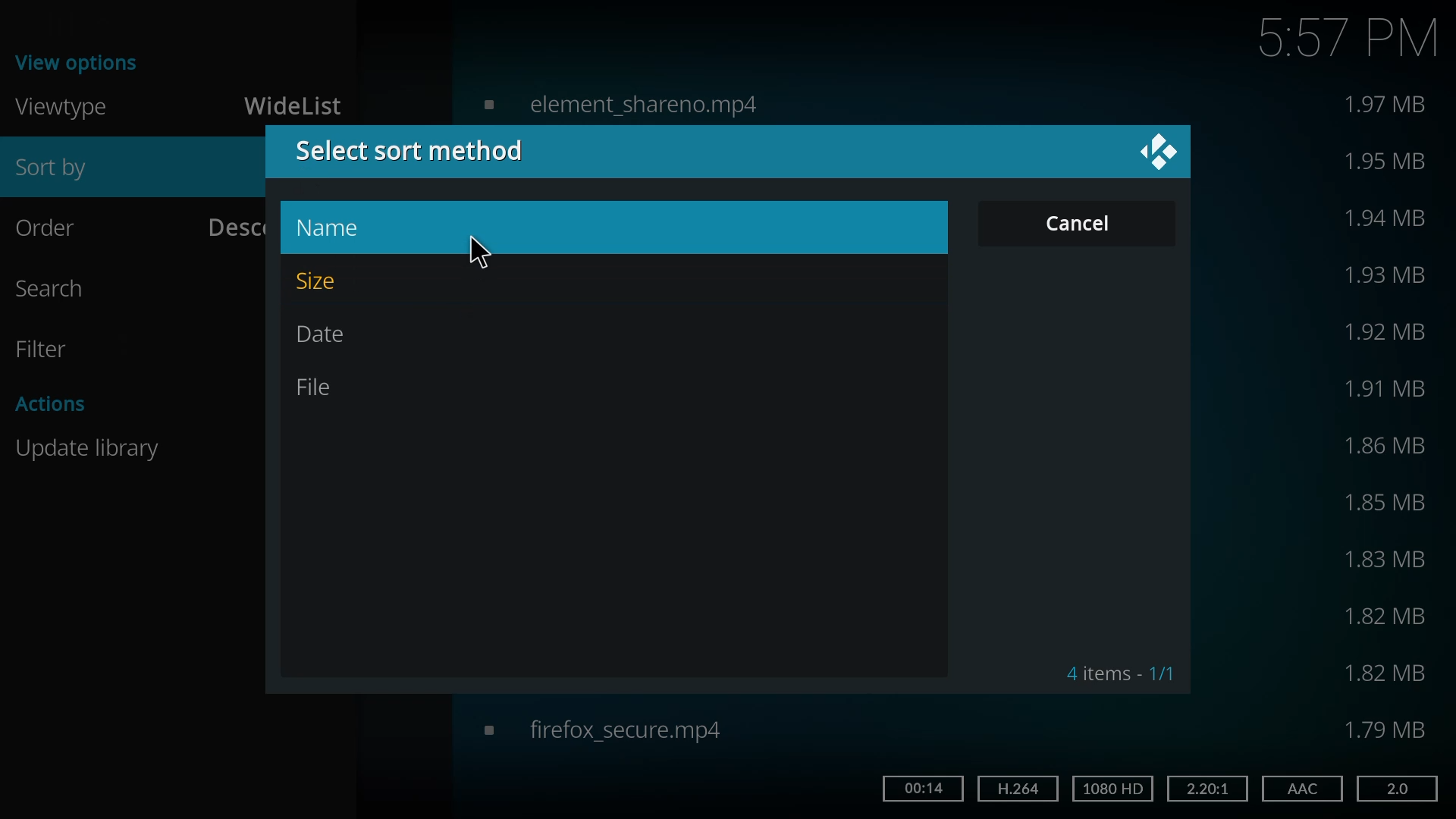 The height and width of the screenshot is (819, 1456). Describe the element at coordinates (1384, 673) in the screenshot. I see `size` at that location.